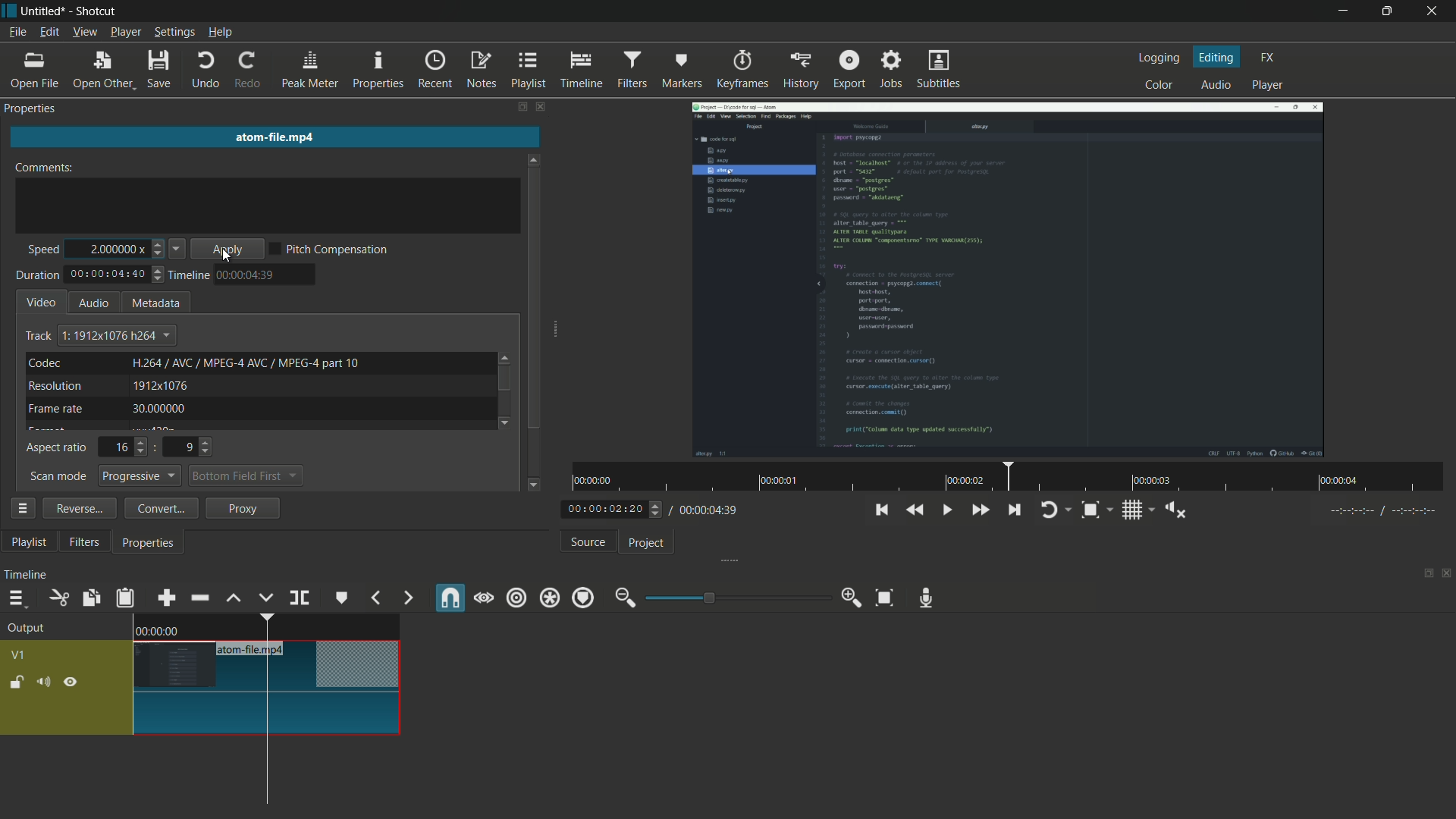 Image resolution: width=1456 pixels, height=819 pixels. Describe the element at coordinates (45, 362) in the screenshot. I see `codec` at that location.